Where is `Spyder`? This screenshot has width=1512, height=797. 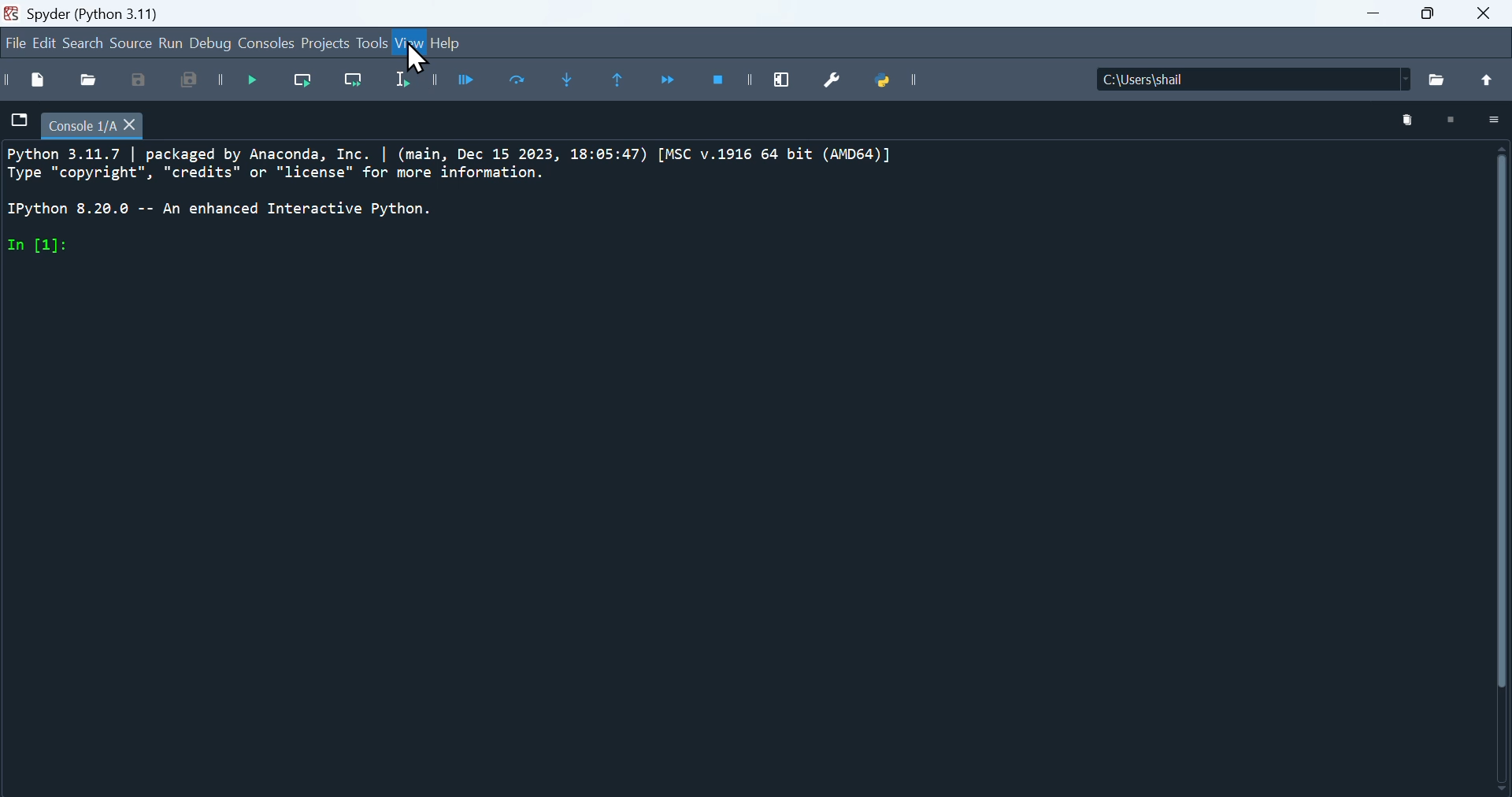
Spyder is located at coordinates (122, 11).